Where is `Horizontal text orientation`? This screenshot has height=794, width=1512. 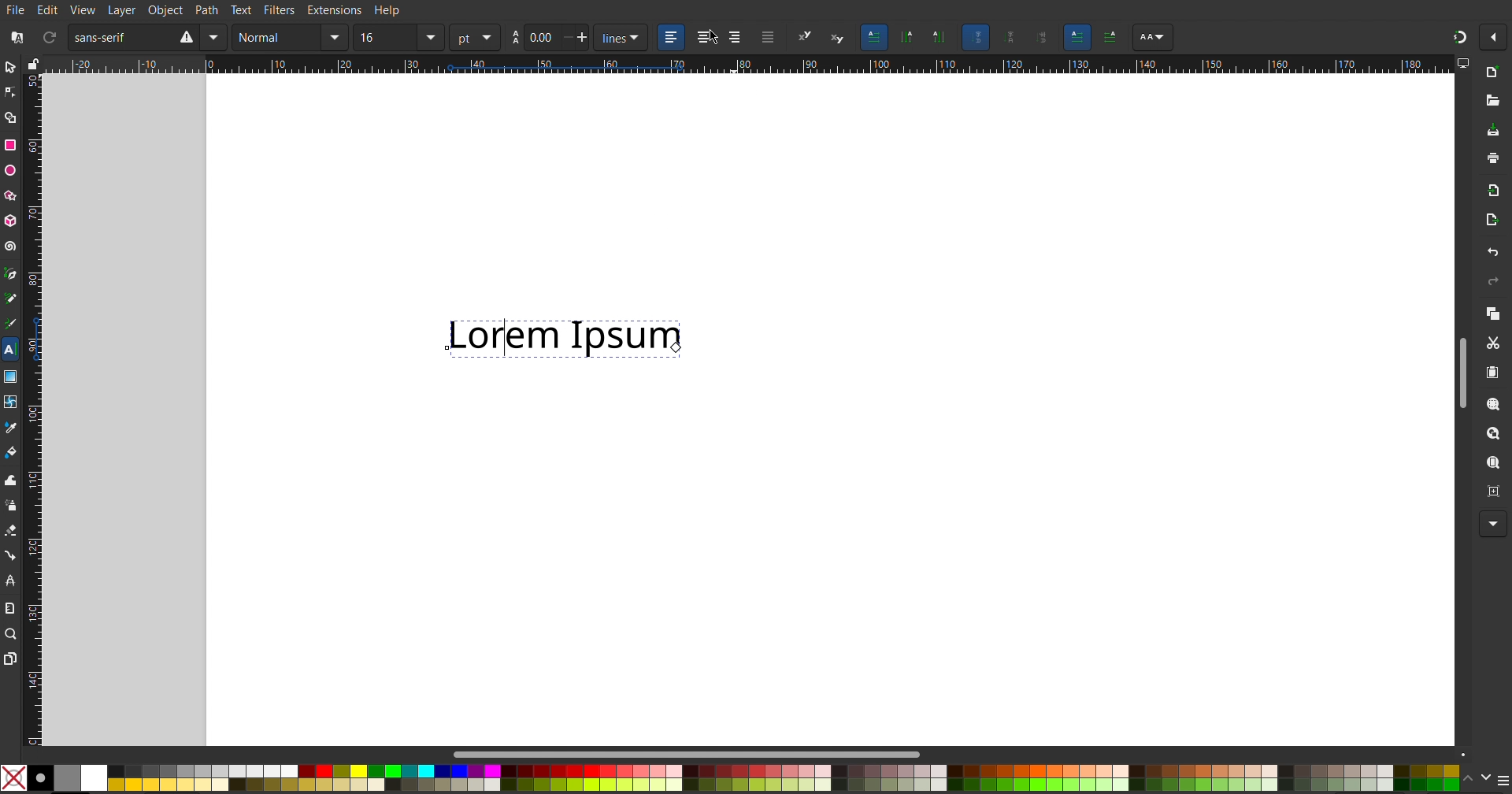 Horizontal text orientation is located at coordinates (876, 37).